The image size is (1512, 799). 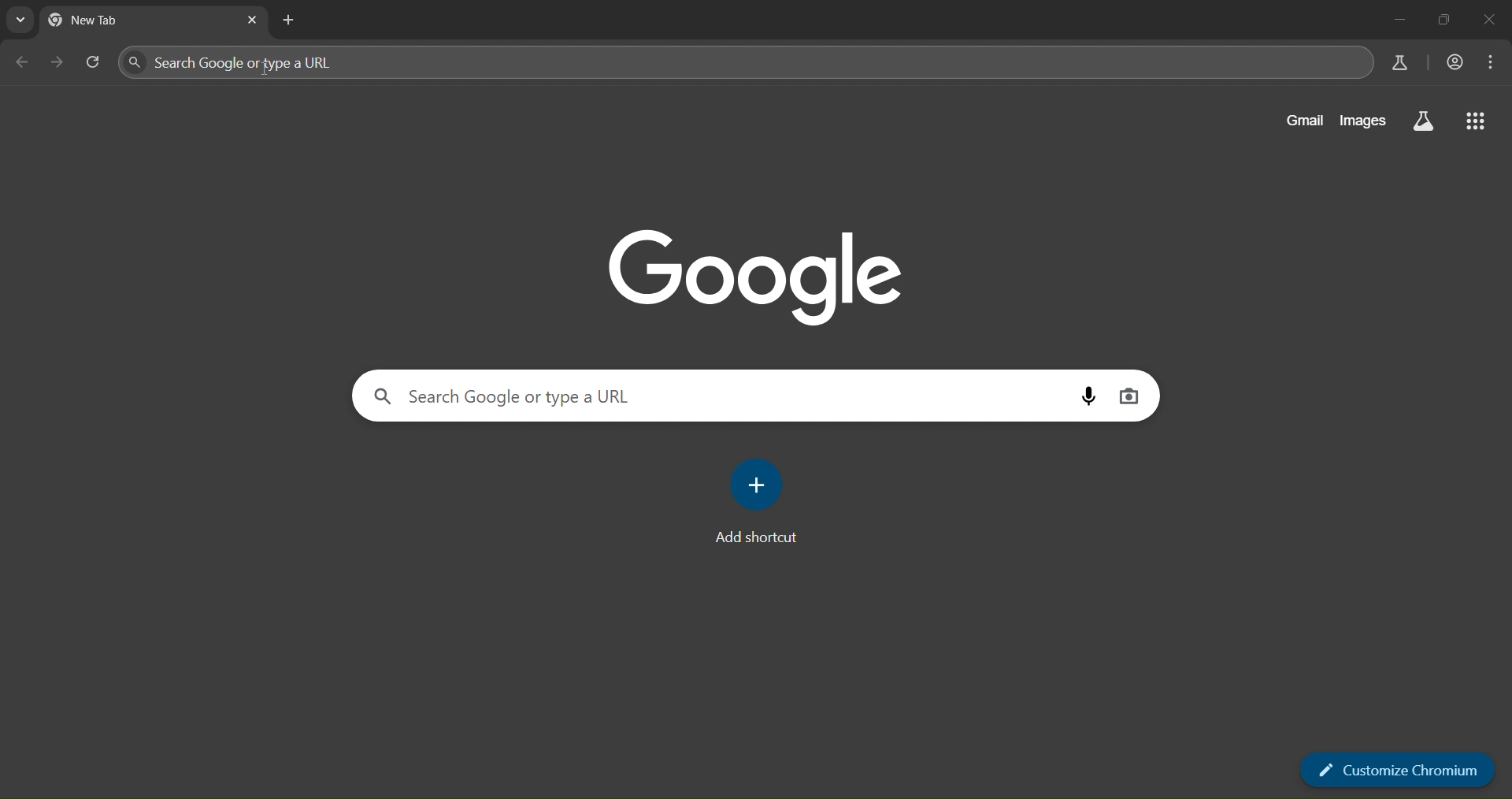 What do you see at coordinates (22, 21) in the screenshot?
I see `search tabs` at bounding box center [22, 21].